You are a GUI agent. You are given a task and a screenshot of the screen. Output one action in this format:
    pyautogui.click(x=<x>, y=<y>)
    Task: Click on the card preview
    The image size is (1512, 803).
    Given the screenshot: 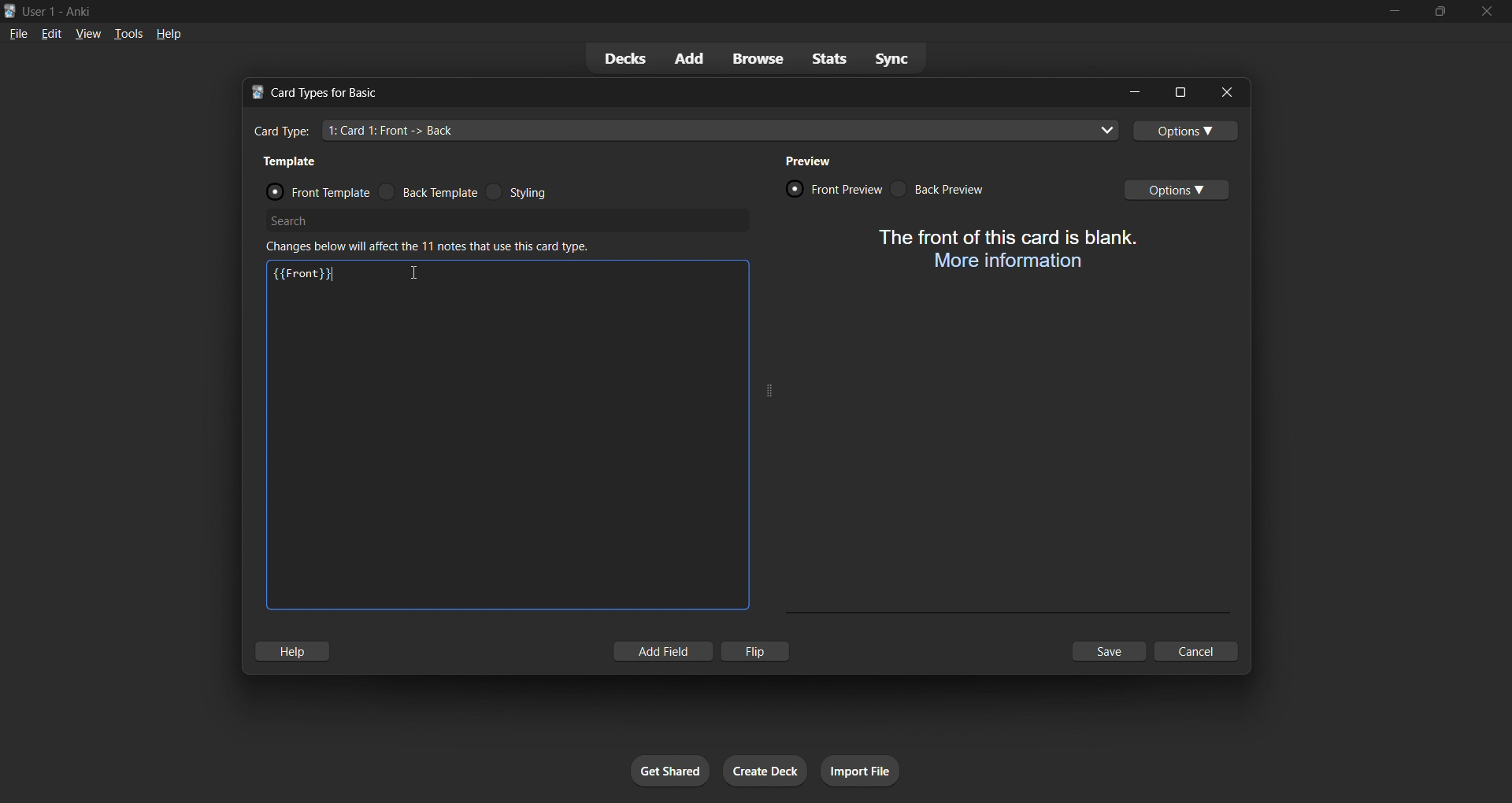 What is the action you would take?
    pyautogui.click(x=1003, y=250)
    